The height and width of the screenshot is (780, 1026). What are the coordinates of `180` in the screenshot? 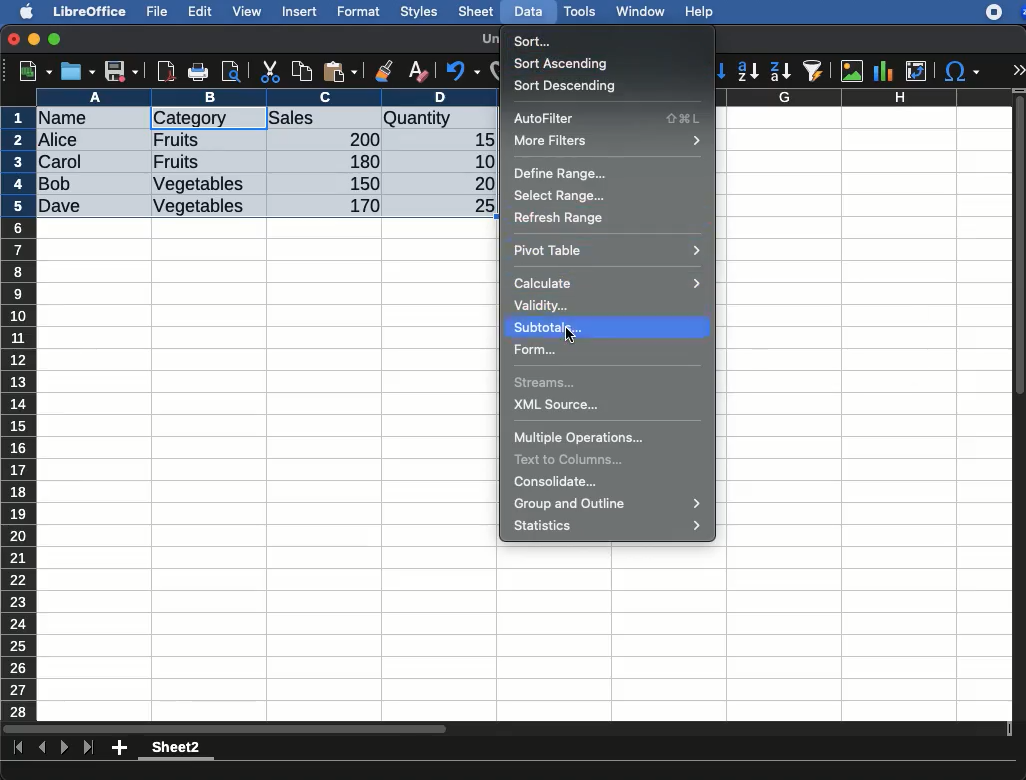 It's located at (357, 162).